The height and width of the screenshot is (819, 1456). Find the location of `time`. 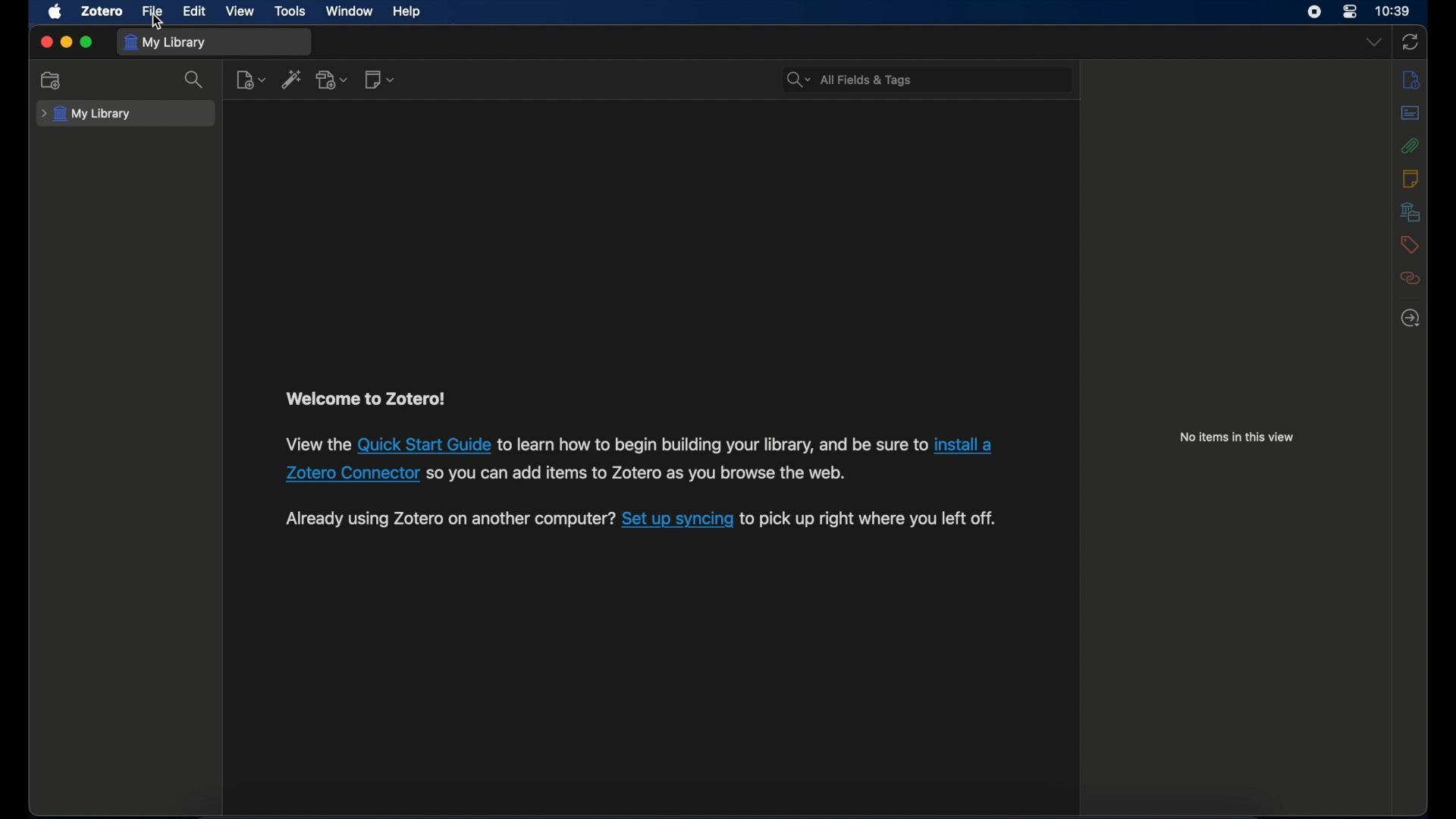

time is located at coordinates (1393, 11).